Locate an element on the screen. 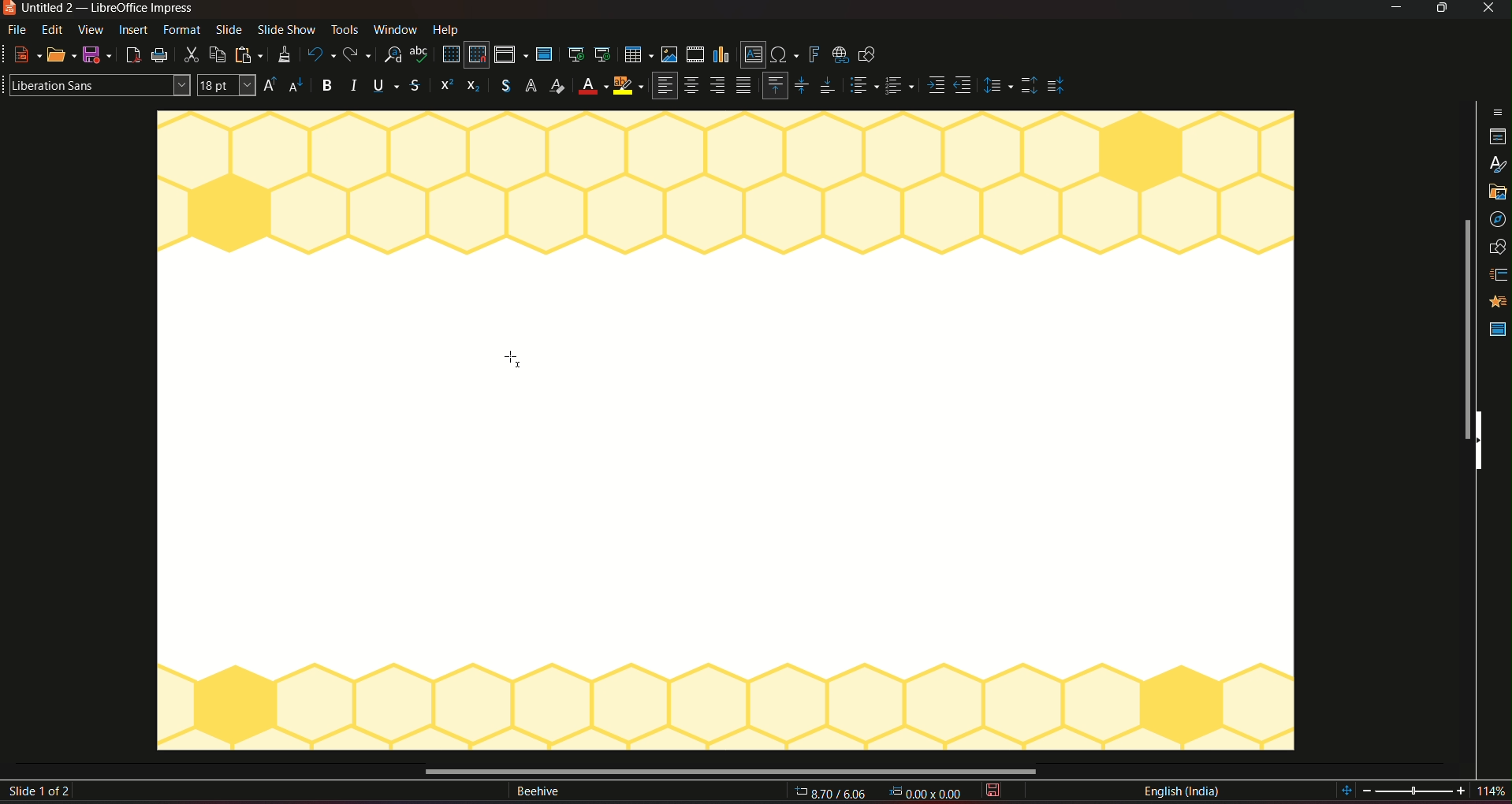 The height and width of the screenshot is (804, 1512). Align side 2 is located at coordinates (964, 87).